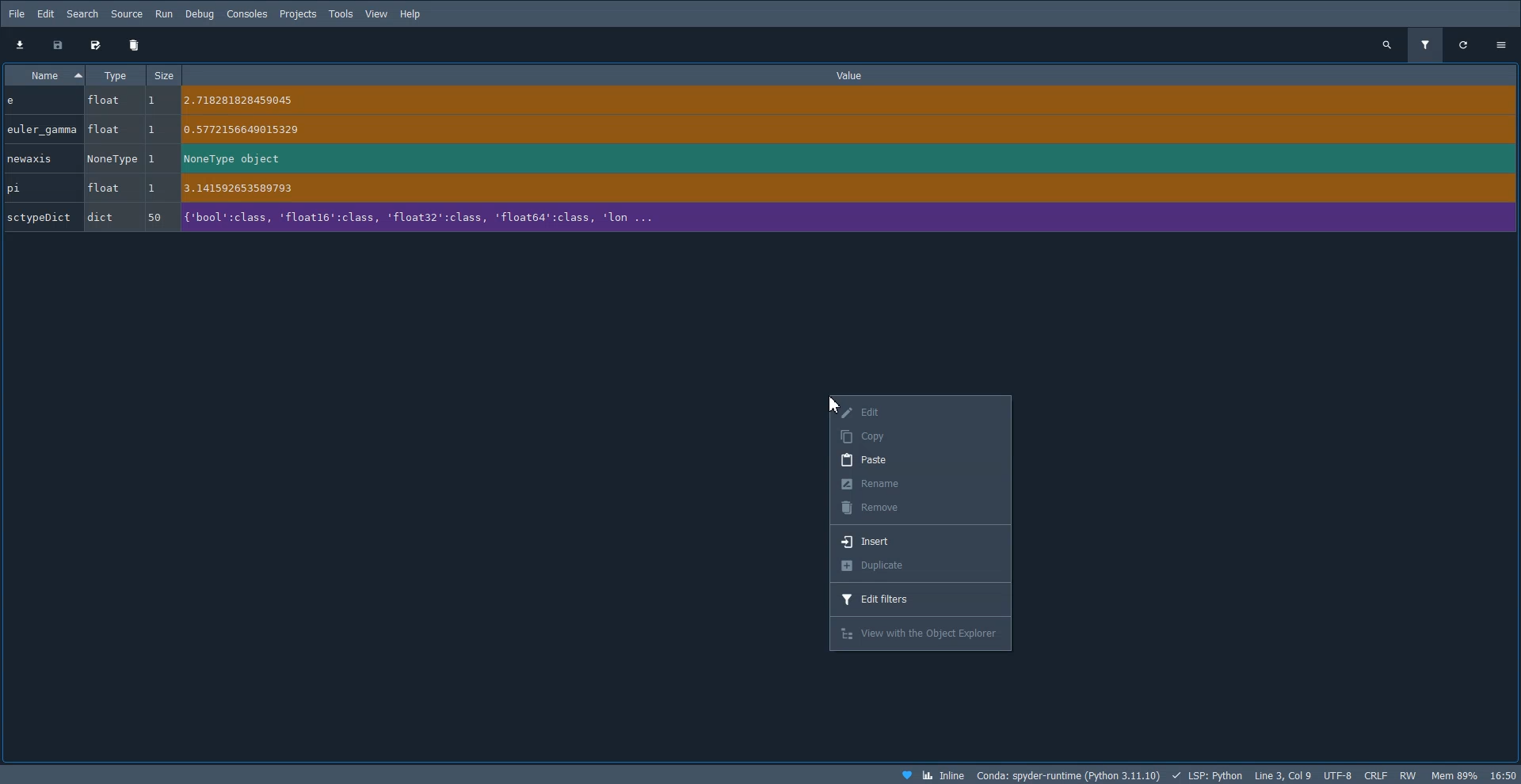 This screenshot has height=784, width=1521. I want to click on UTF-8, so click(1340, 774).